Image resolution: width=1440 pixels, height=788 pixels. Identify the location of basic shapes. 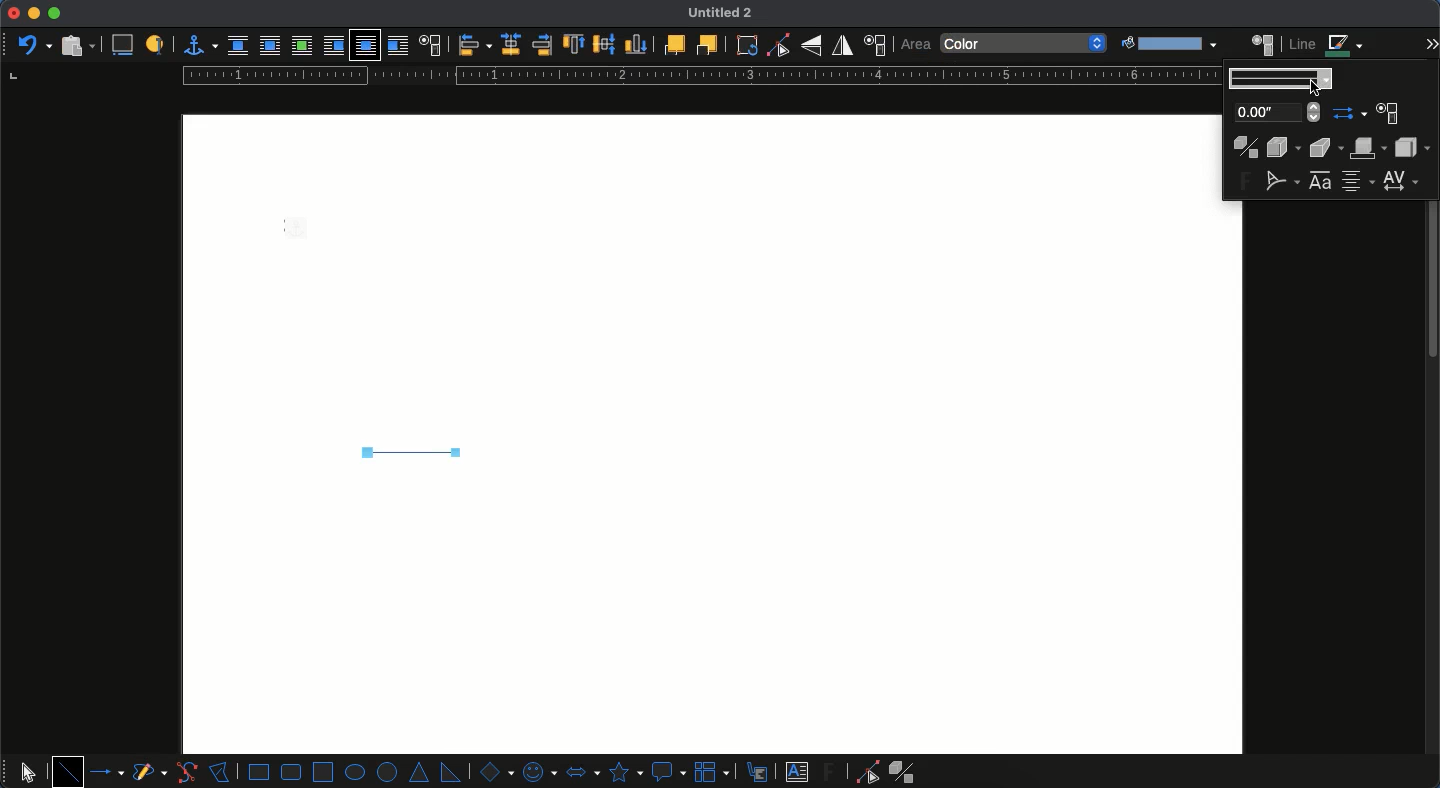
(494, 771).